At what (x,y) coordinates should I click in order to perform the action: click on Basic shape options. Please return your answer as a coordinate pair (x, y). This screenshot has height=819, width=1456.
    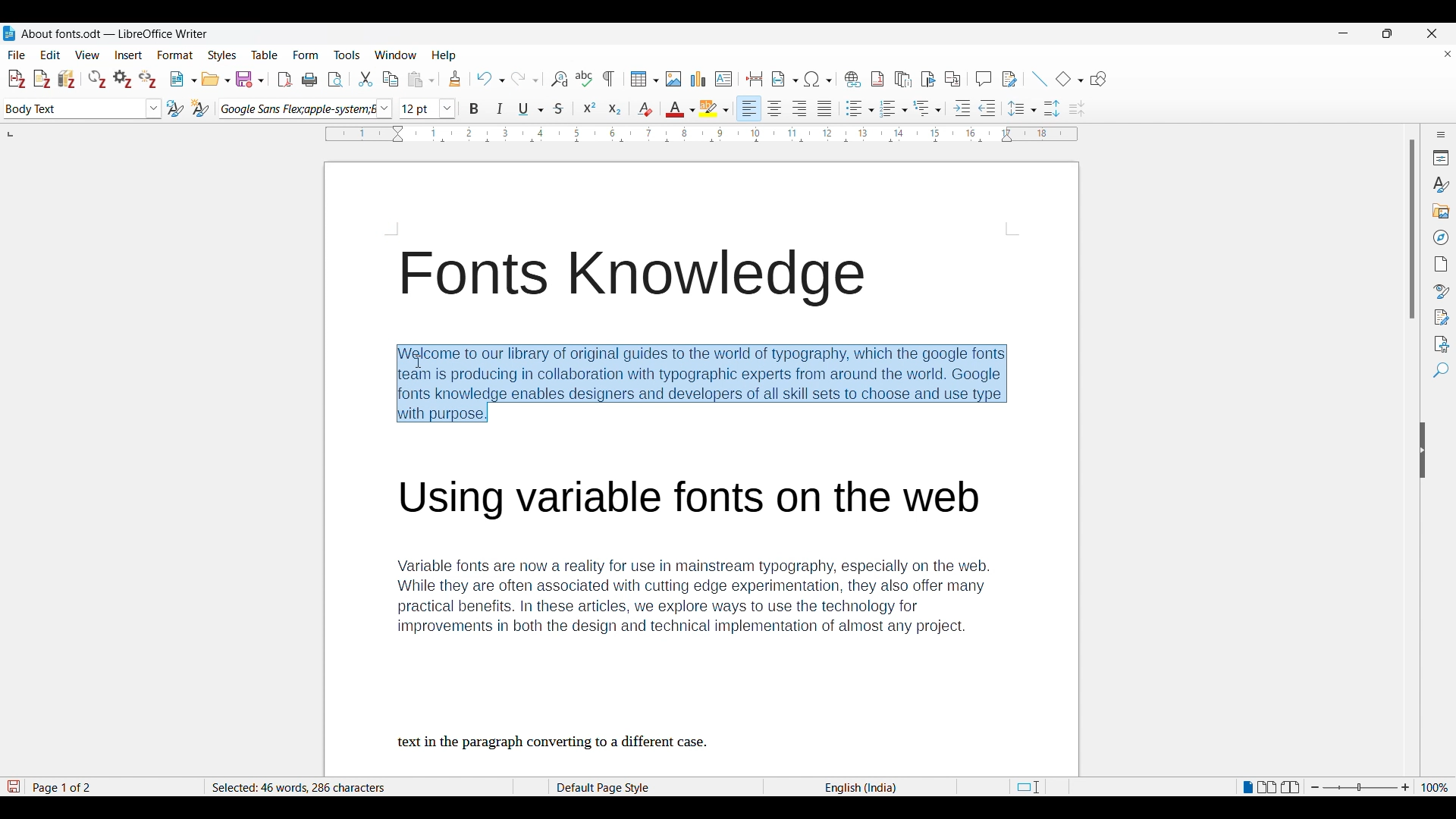
    Looking at the image, I should click on (1069, 79).